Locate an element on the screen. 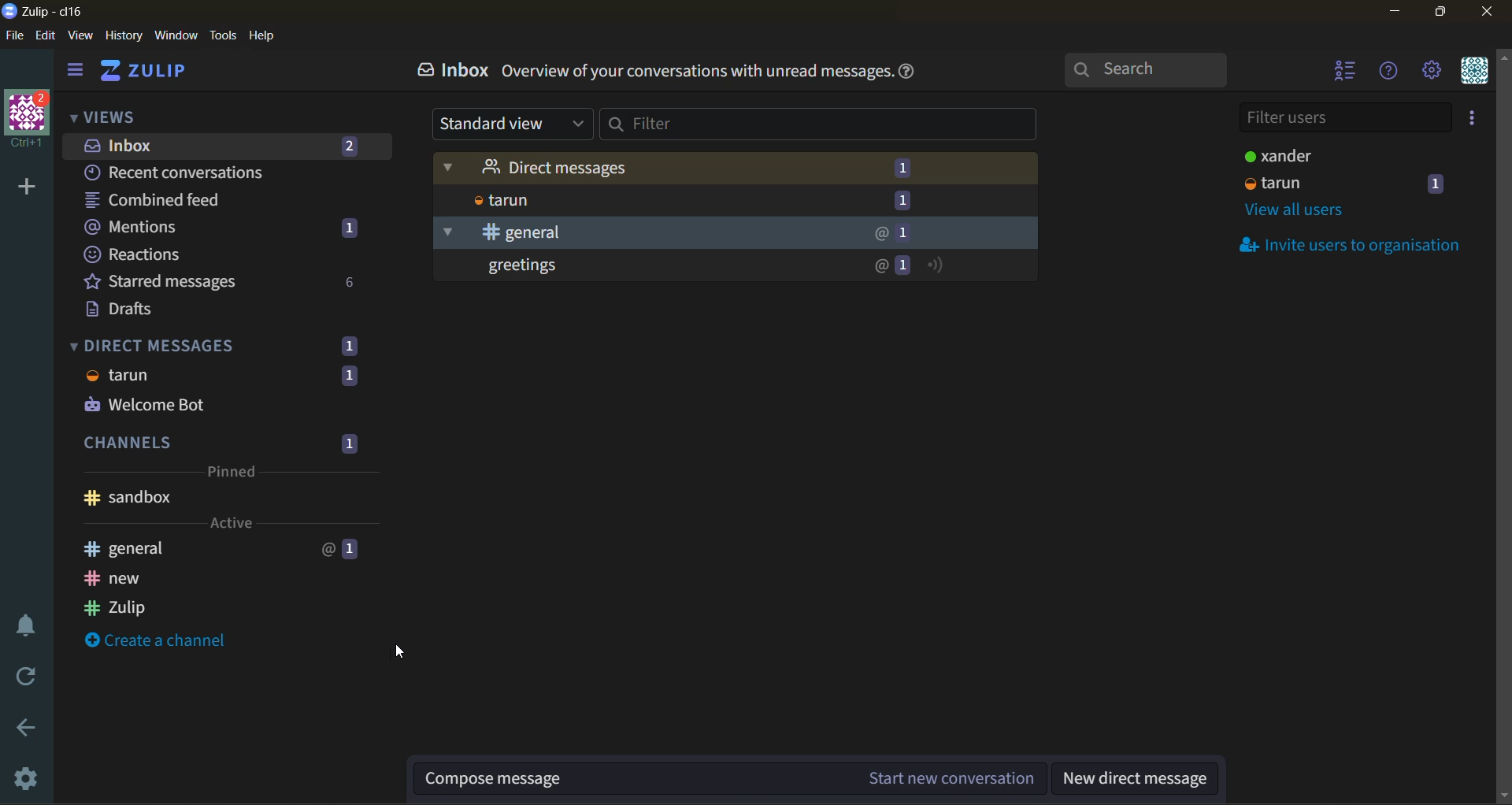 The height and width of the screenshot is (805, 1512). edit is located at coordinates (50, 35).